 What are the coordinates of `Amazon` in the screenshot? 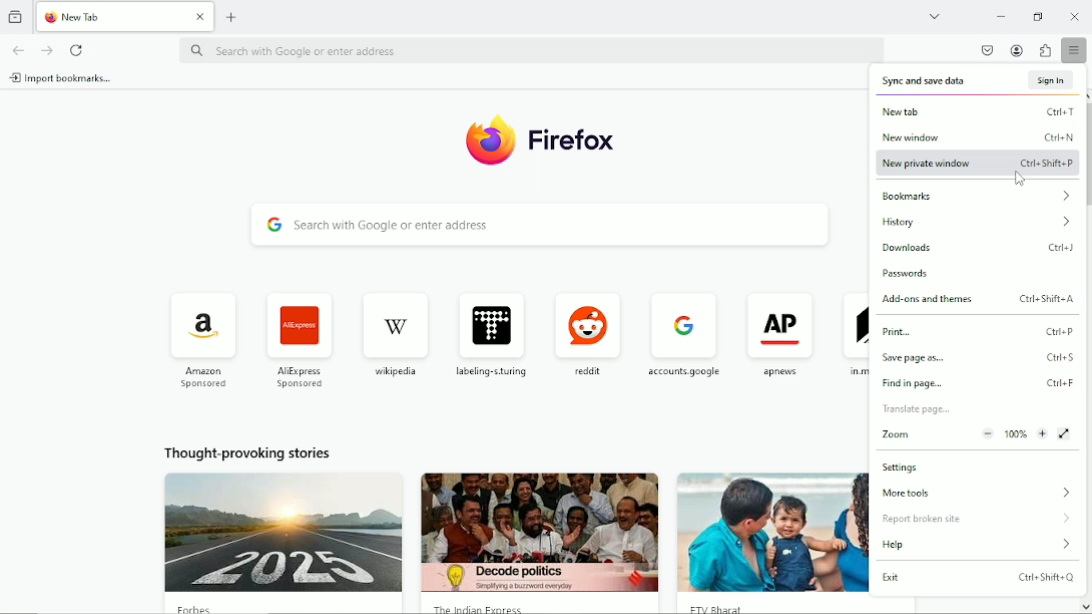 It's located at (200, 338).